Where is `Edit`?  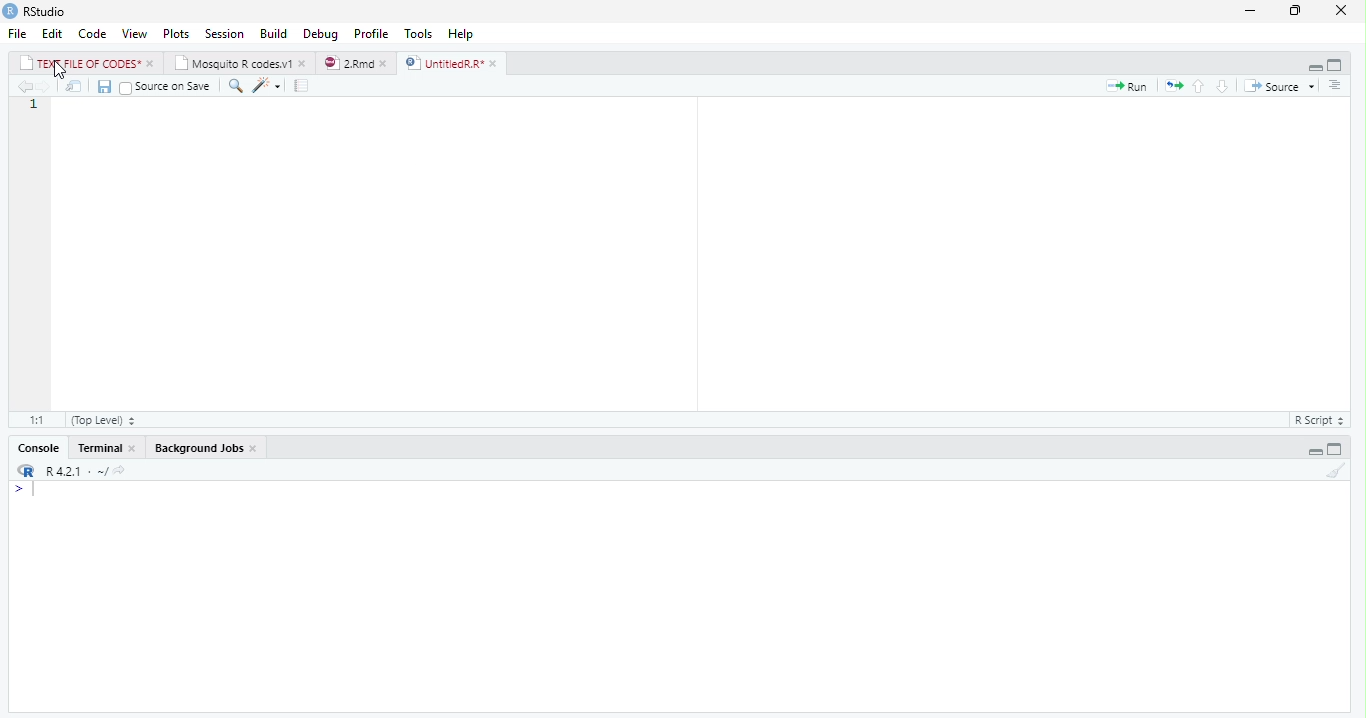
Edit is located at coordinates (54, 33).